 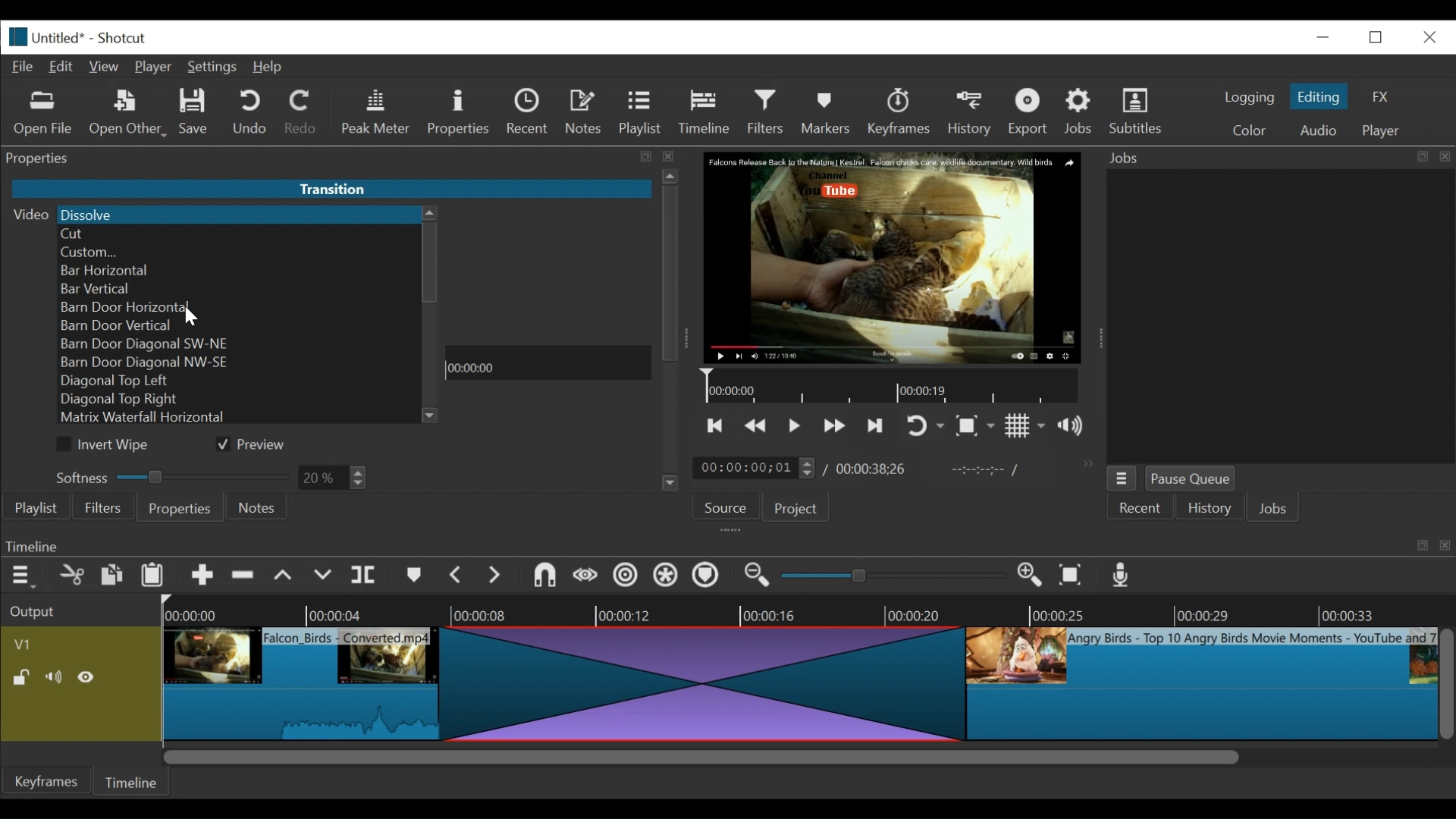 I want to click on Barn Door Vertical, so click(x=242, y=326).